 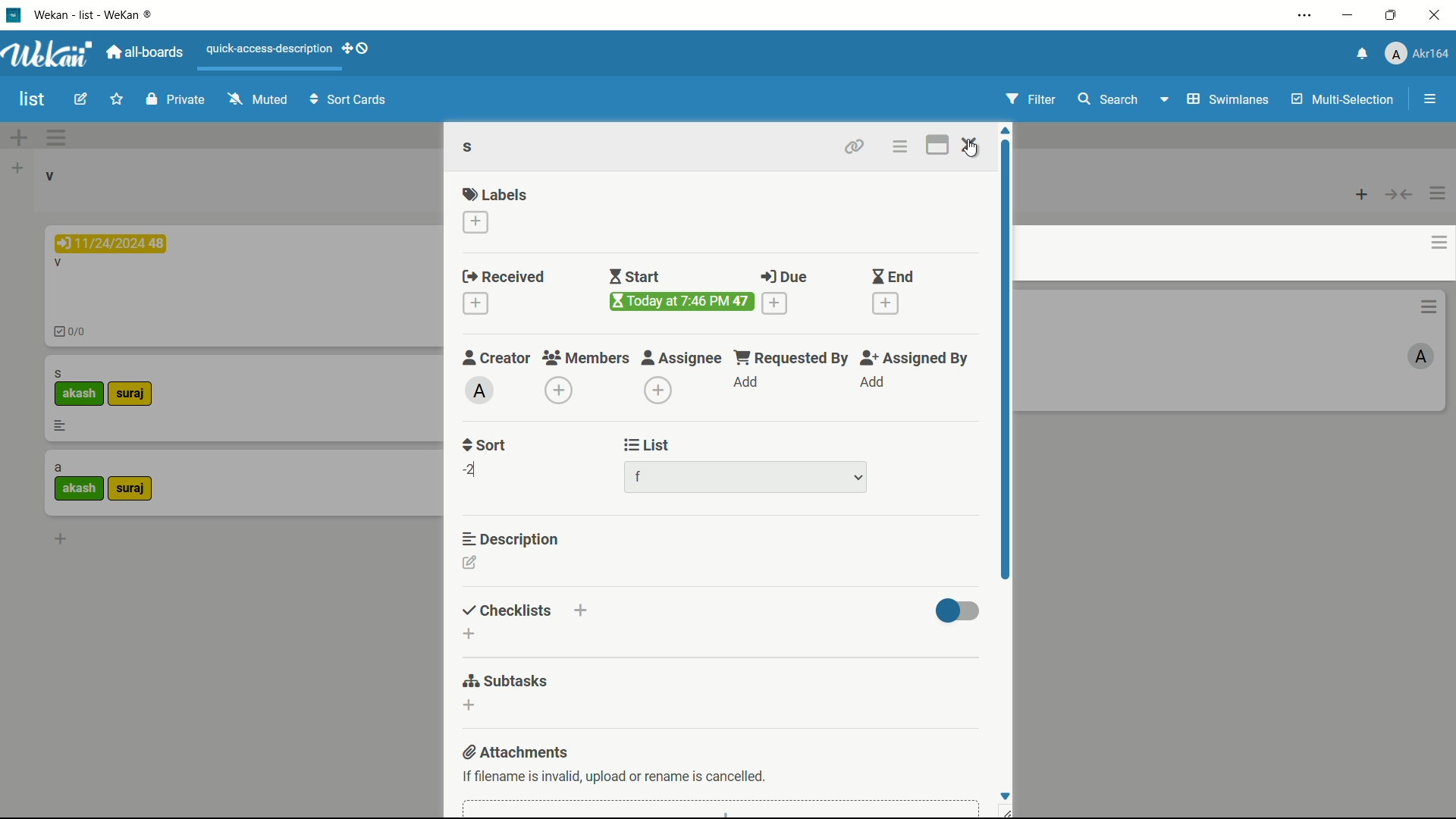 What do you see at coordinates (493, 357) in the screenshot?
I see `creator` at bounding box center [493, 357].